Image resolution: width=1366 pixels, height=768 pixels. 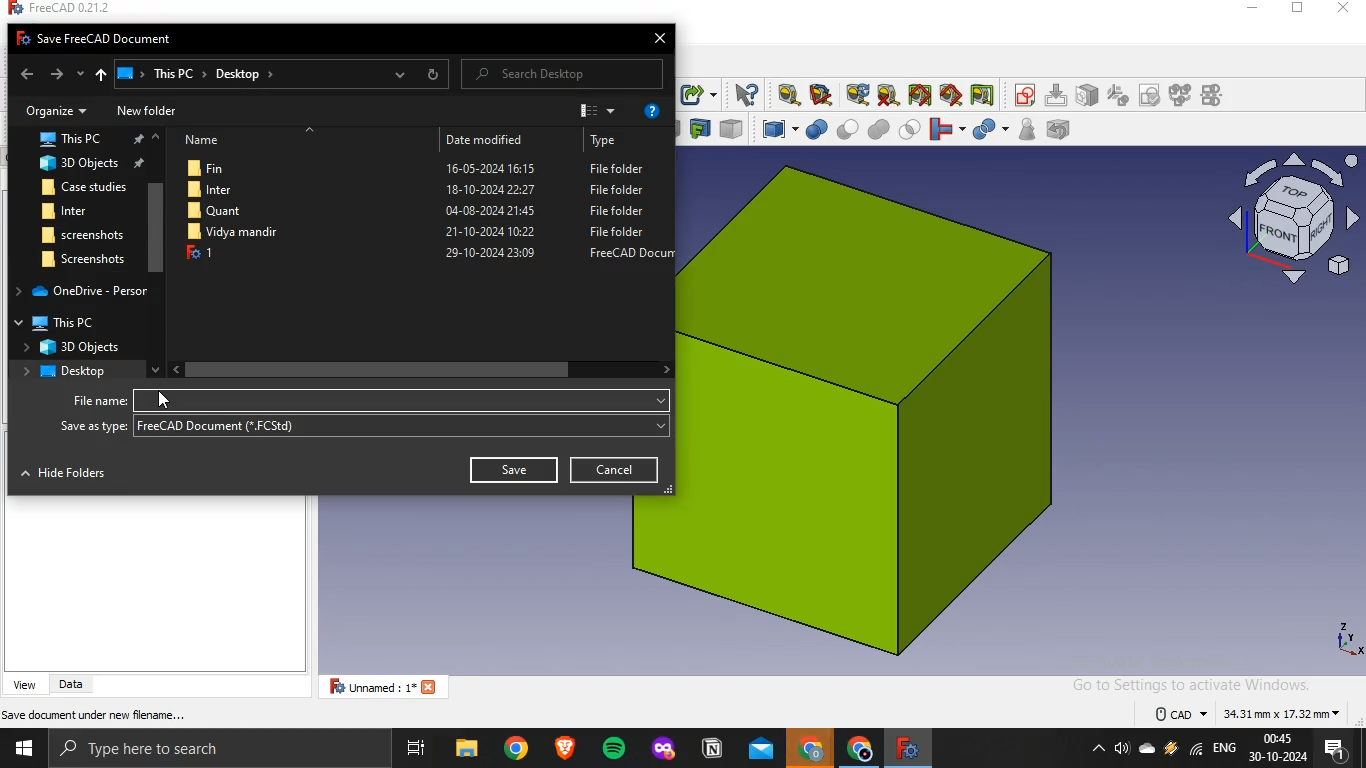 I want to click on recent locations, so click(x=79, y=72).